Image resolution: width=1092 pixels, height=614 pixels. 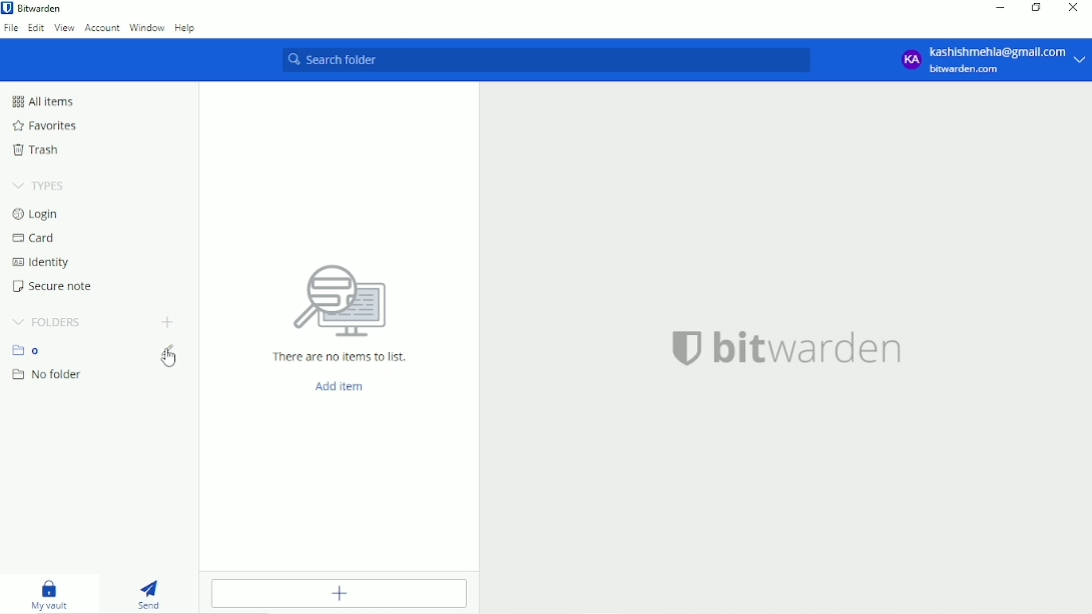 What do you see at coordinates (49, 375) in the screenshot?
I see `No folder` at bounding box center [49, 375].